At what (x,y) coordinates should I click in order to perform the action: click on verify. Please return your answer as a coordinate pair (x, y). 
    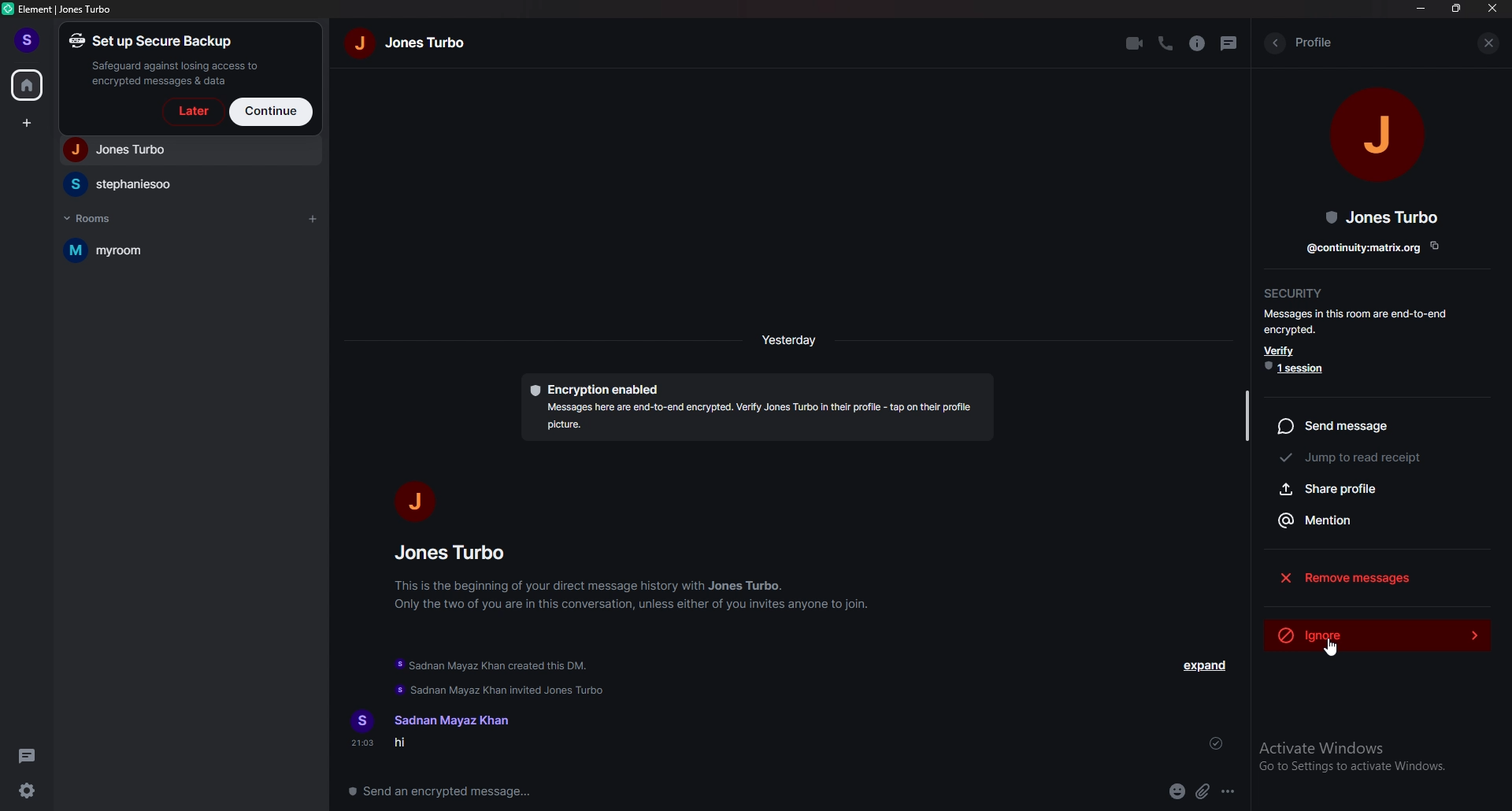
    Looking at the image, I should click on (1281, 350).